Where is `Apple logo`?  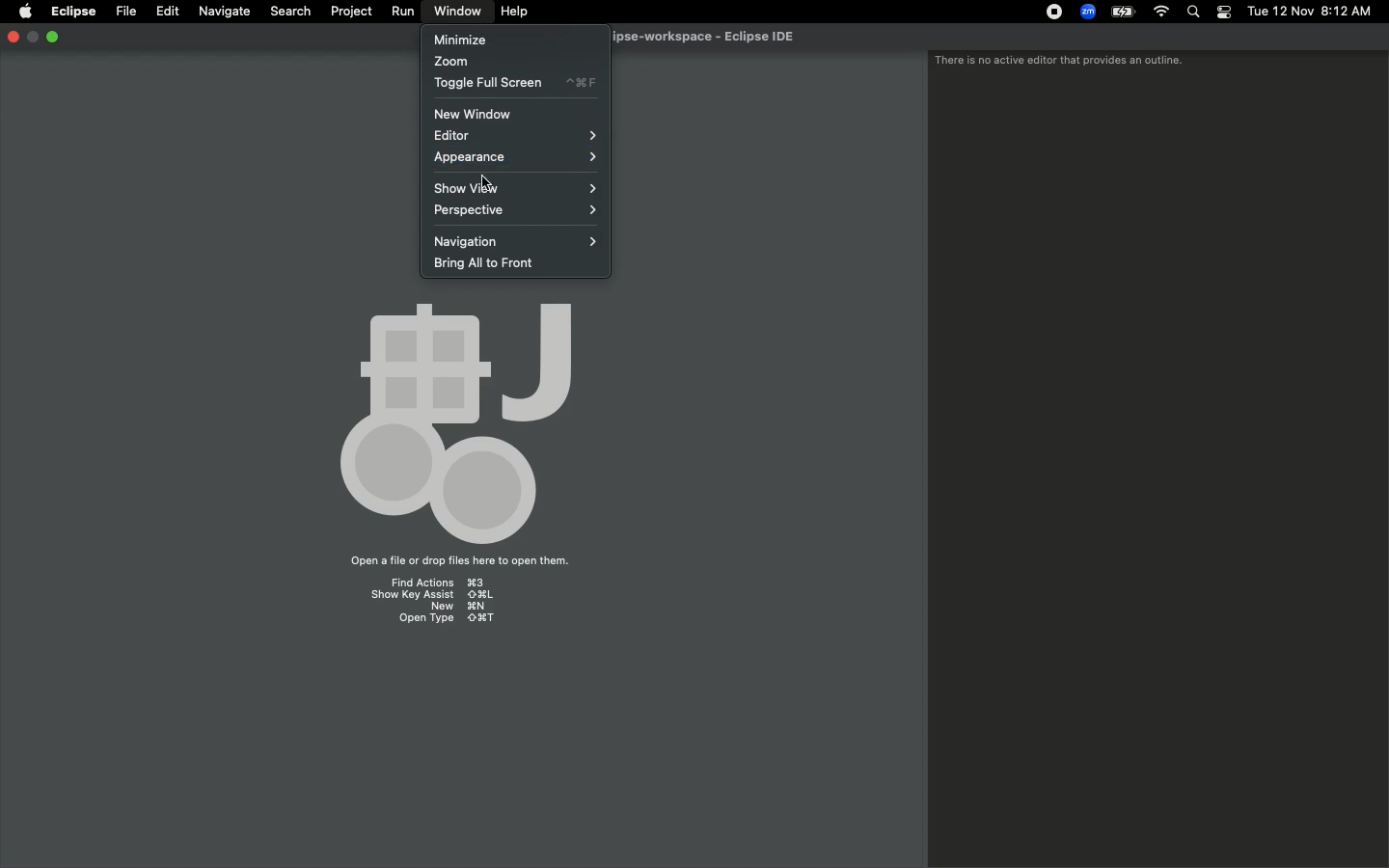
Apple logo is located at coordinates (24, 13).